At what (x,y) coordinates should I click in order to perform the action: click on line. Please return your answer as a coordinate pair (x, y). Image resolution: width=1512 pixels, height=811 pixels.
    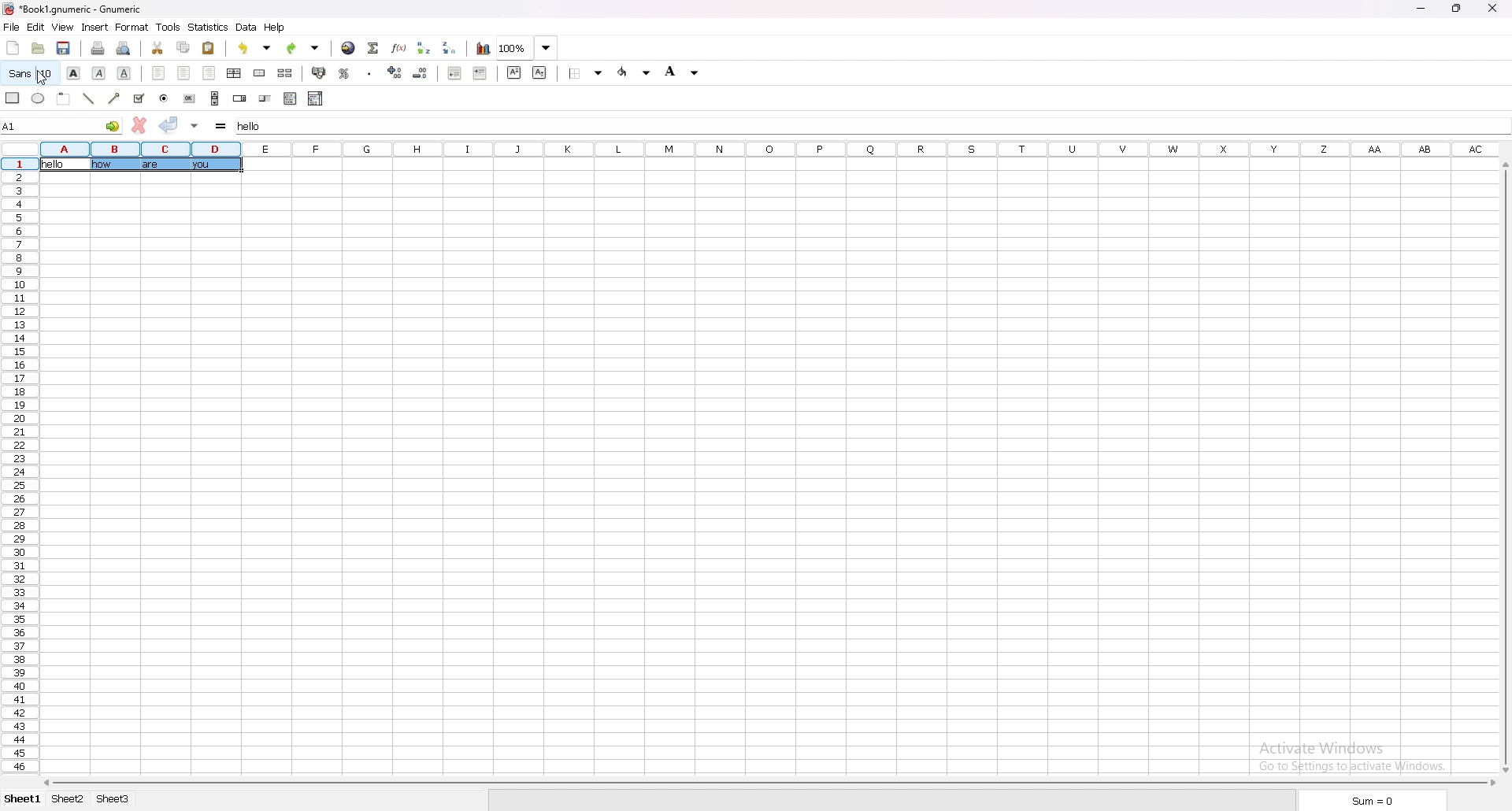
    Looking at the image, I should click on (89, 99).